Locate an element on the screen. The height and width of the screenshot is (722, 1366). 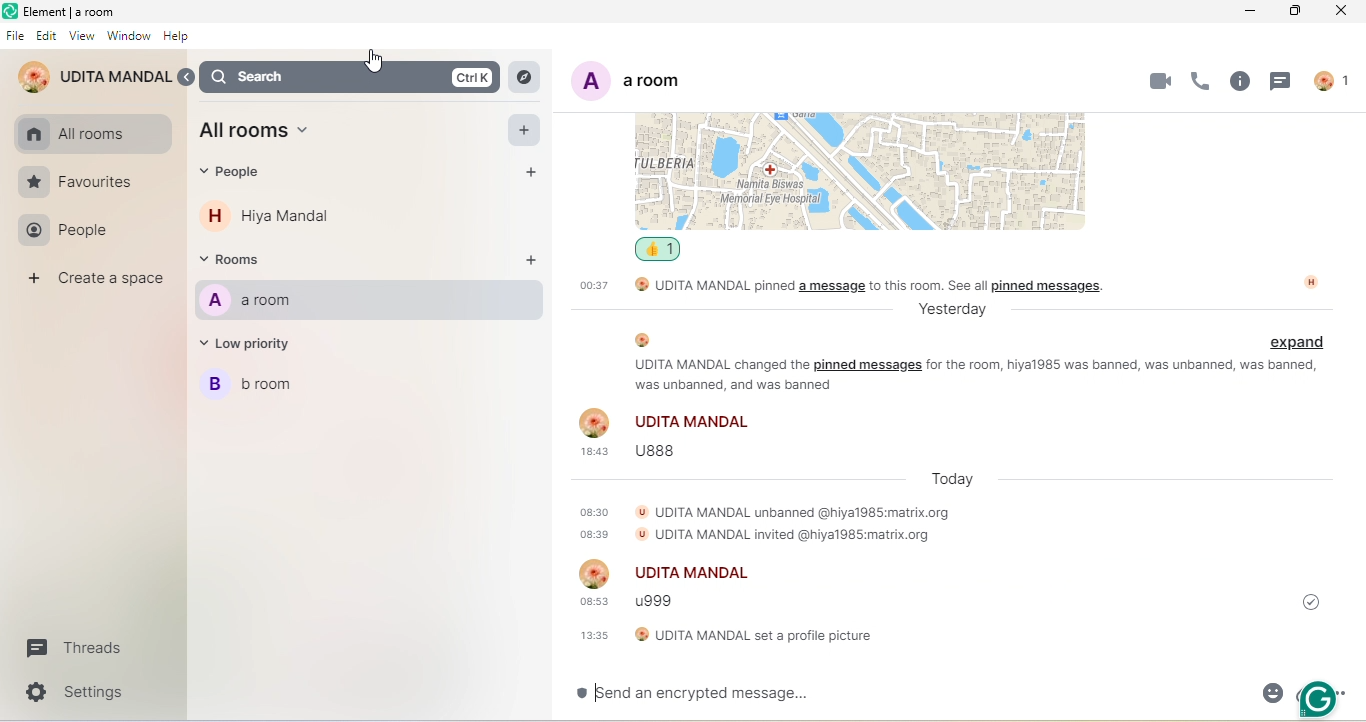
pinned message  is located at coordinates (1054, 285).